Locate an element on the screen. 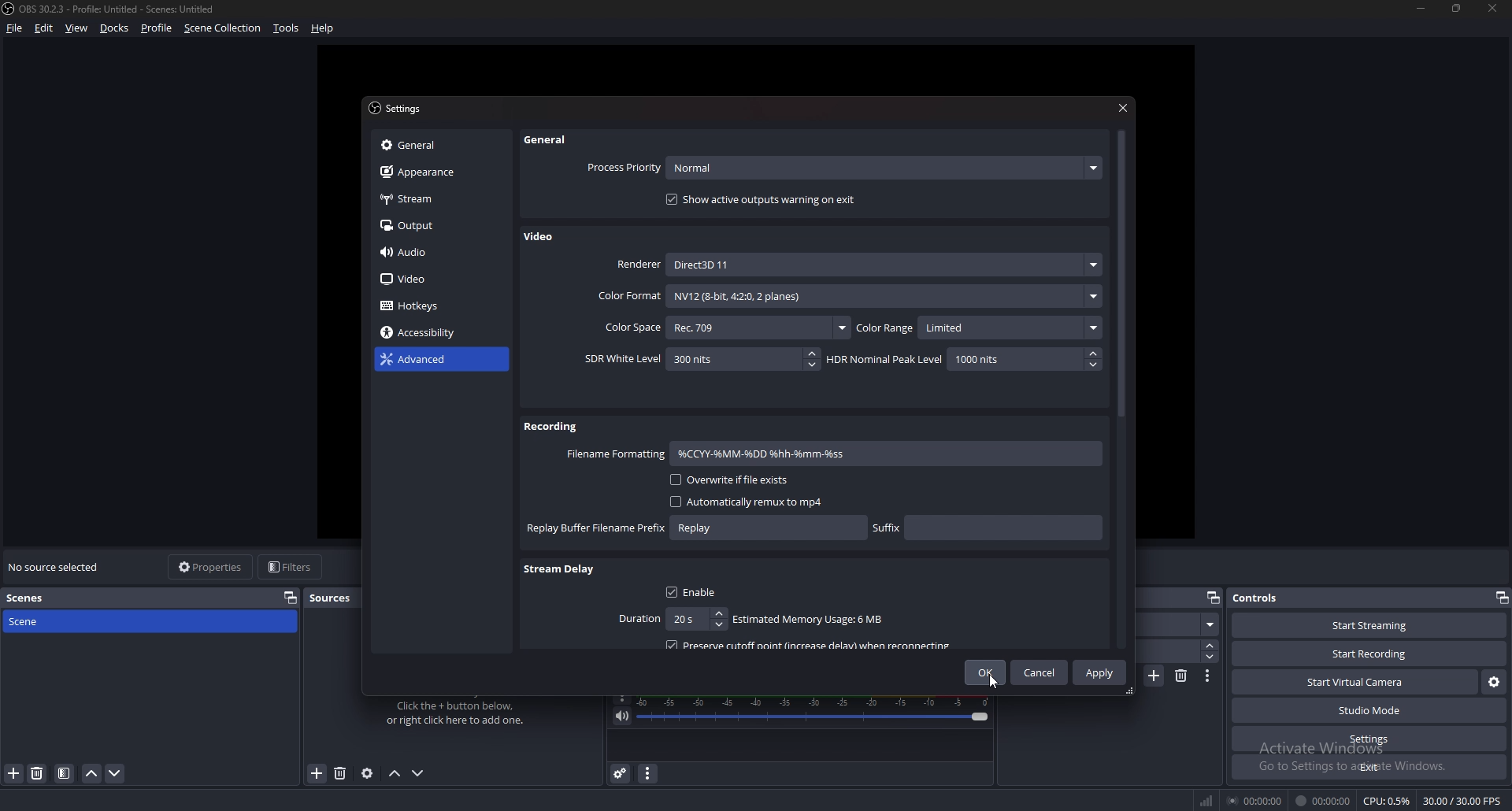  Appearance is located at coordinates (434, 172).